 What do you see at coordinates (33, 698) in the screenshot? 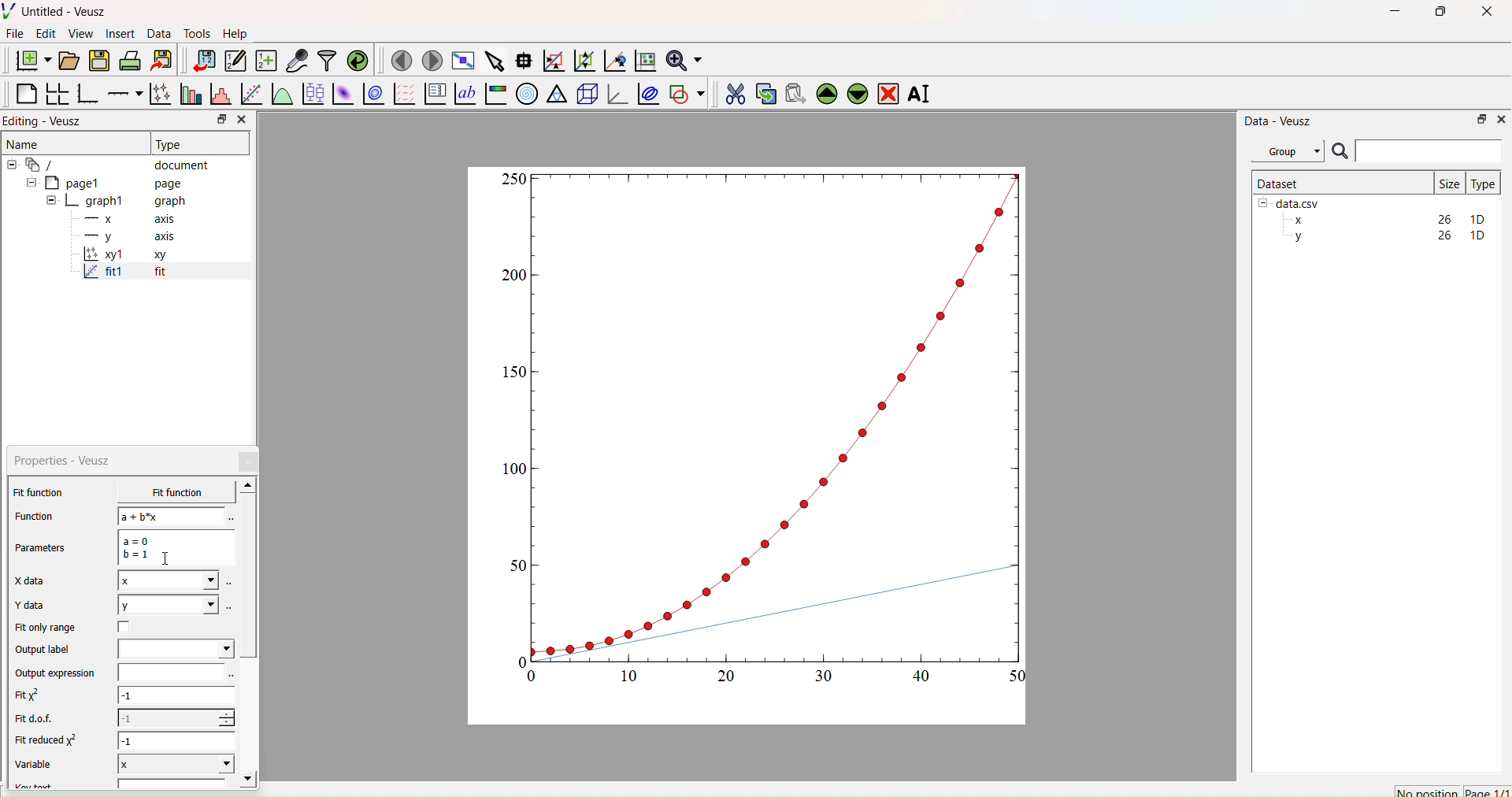
I see `Fit x^2` at bounding box center [33, 698].